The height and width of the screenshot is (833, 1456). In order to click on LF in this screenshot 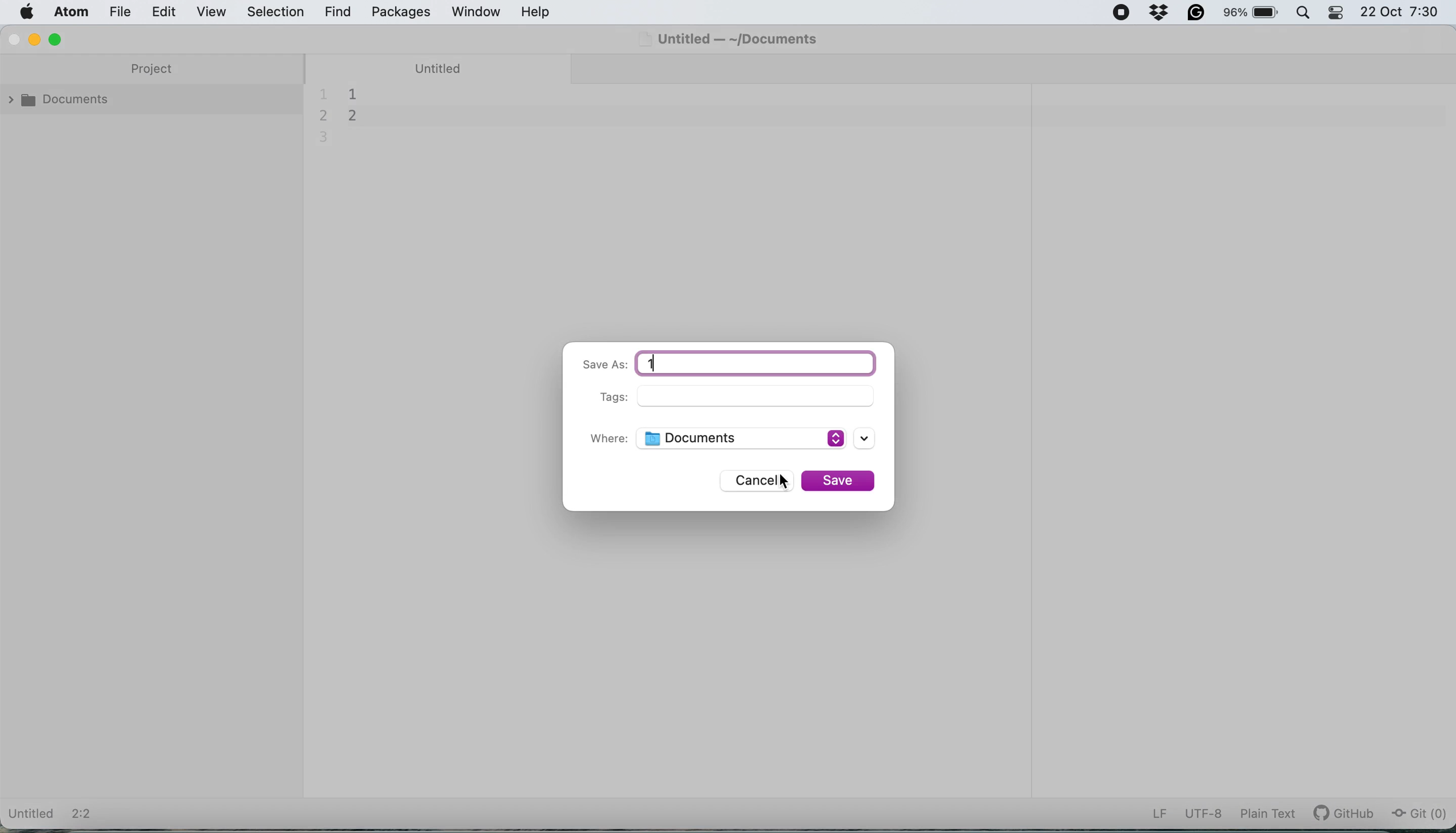, I will do `click(1160, 814)`.